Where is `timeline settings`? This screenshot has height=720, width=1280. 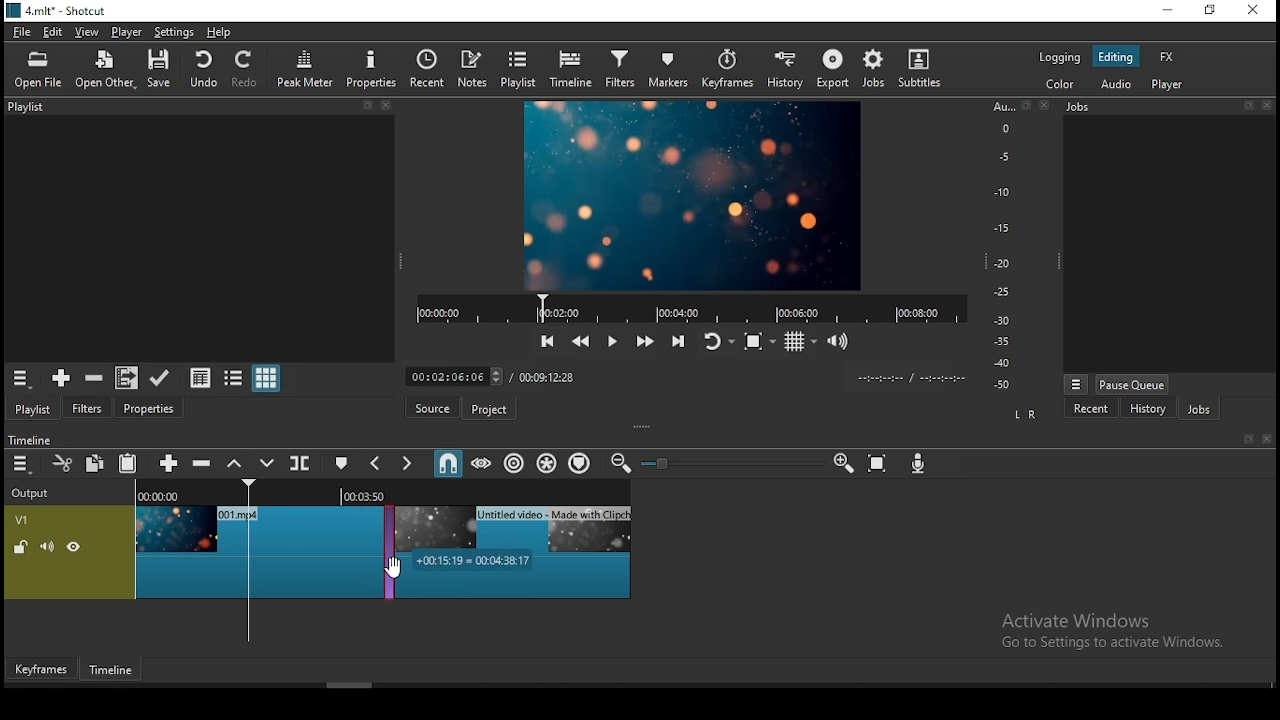
timeline settings is located at coordinates (20, 465).